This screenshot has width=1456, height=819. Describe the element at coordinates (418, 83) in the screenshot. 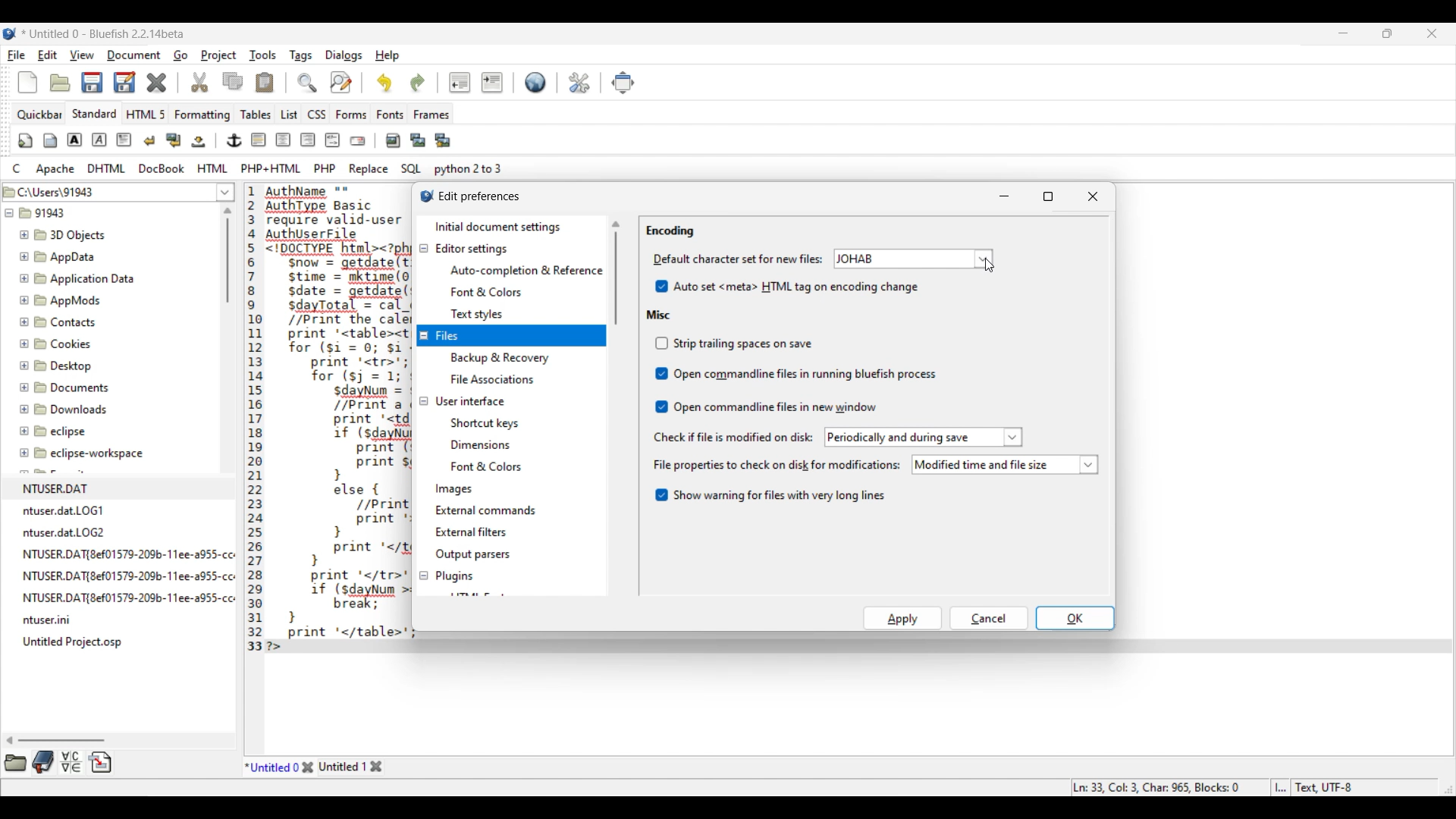

I see `Redo` at that location.